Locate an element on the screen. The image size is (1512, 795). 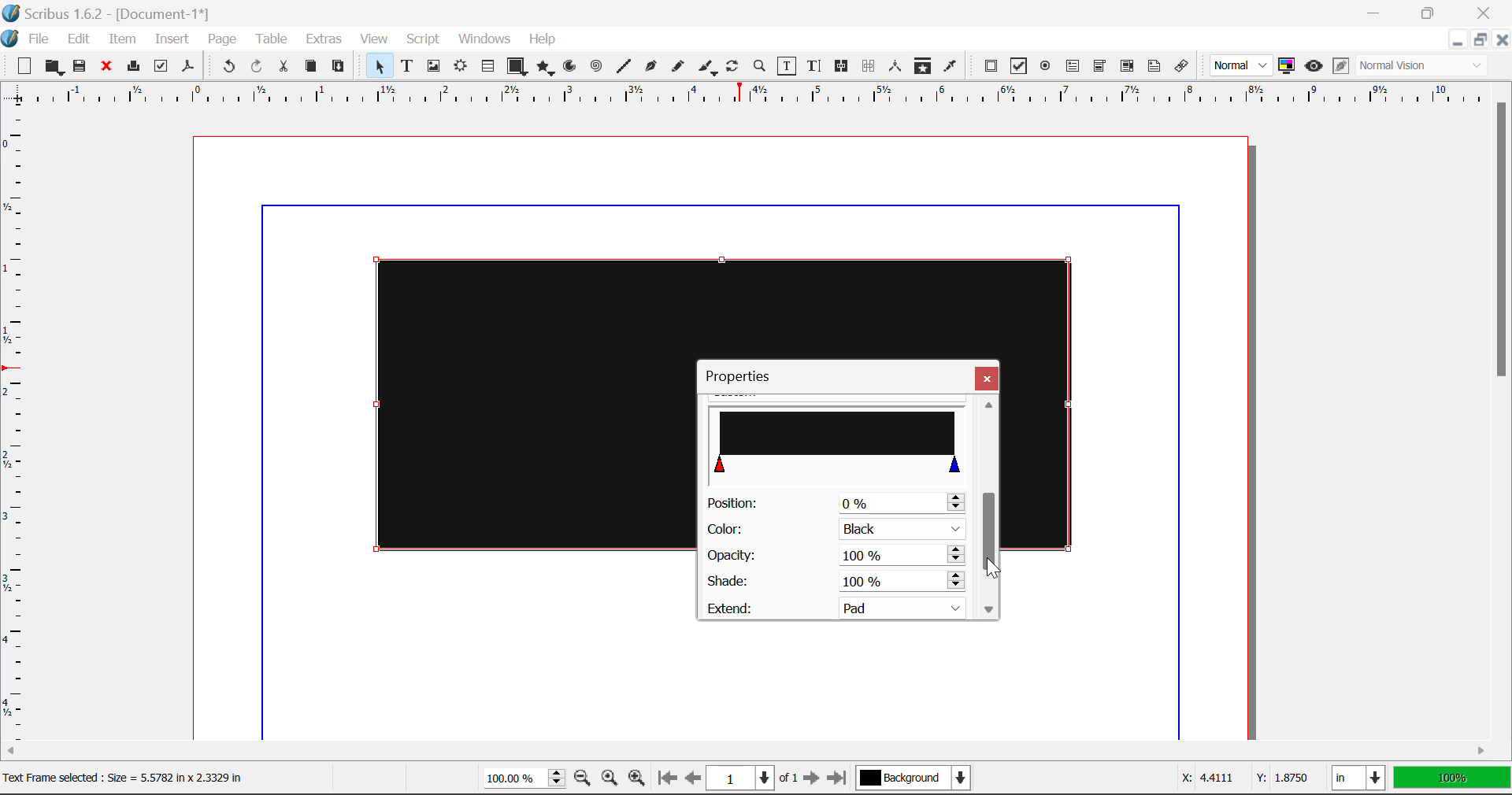
Edit Contents of Frame is located at coordinates (787, 68).